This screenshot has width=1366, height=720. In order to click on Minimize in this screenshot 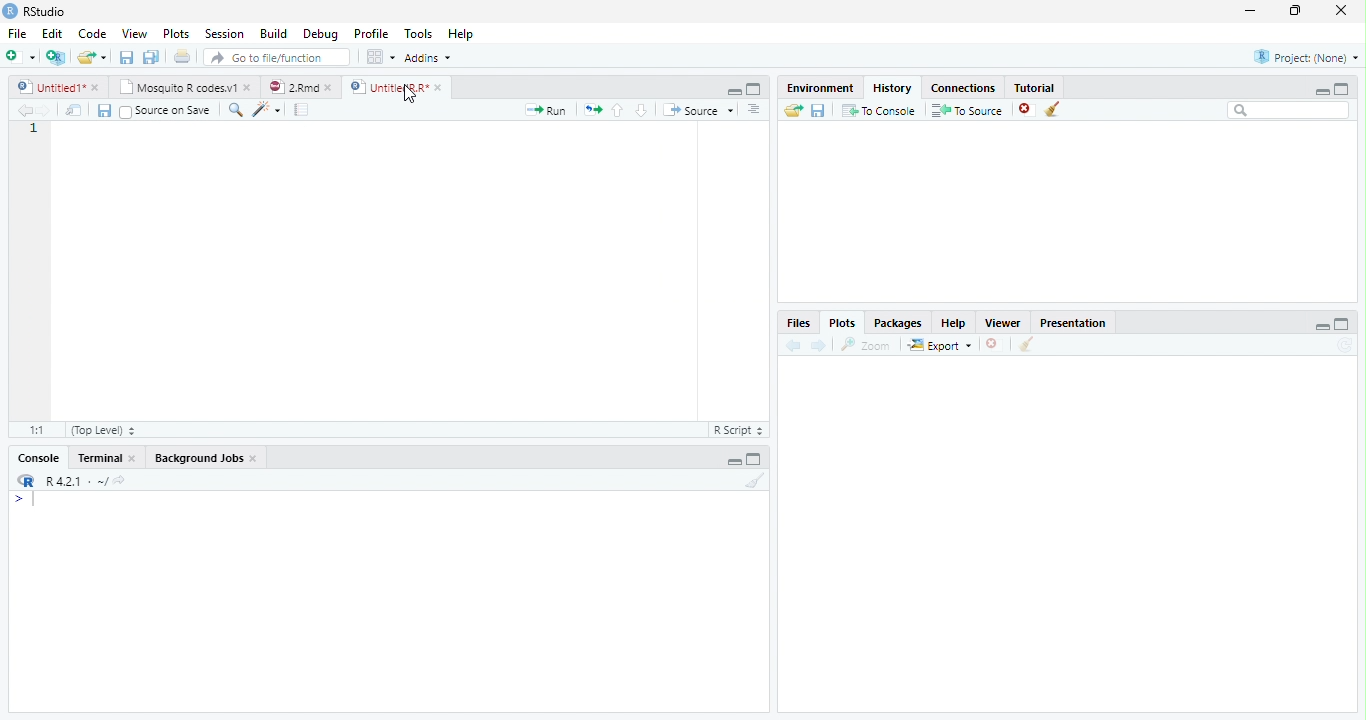, I will do `click(733, 92)`.